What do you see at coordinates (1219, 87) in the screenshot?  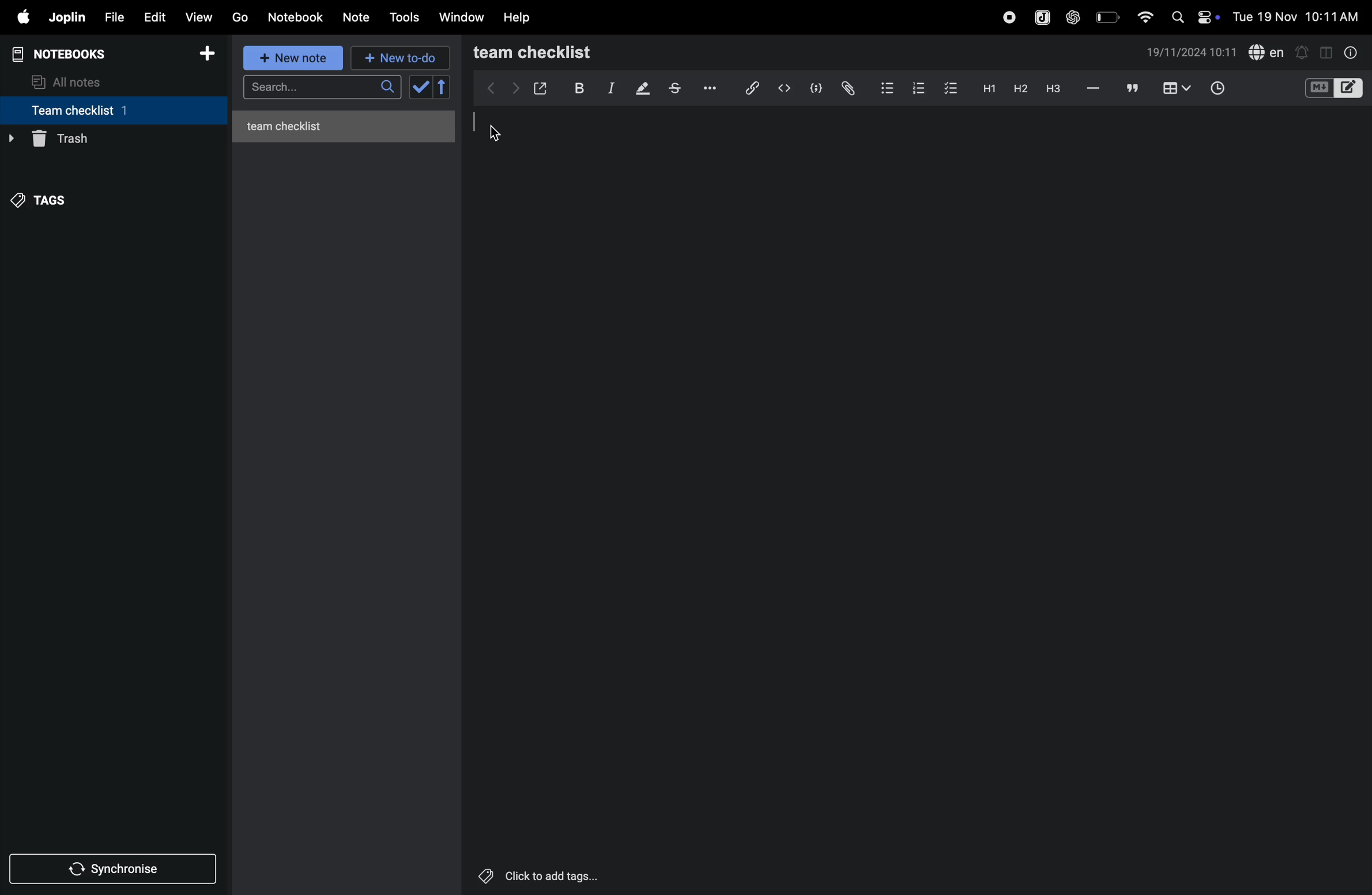 I see `time` at bounding box center [1219, 87].